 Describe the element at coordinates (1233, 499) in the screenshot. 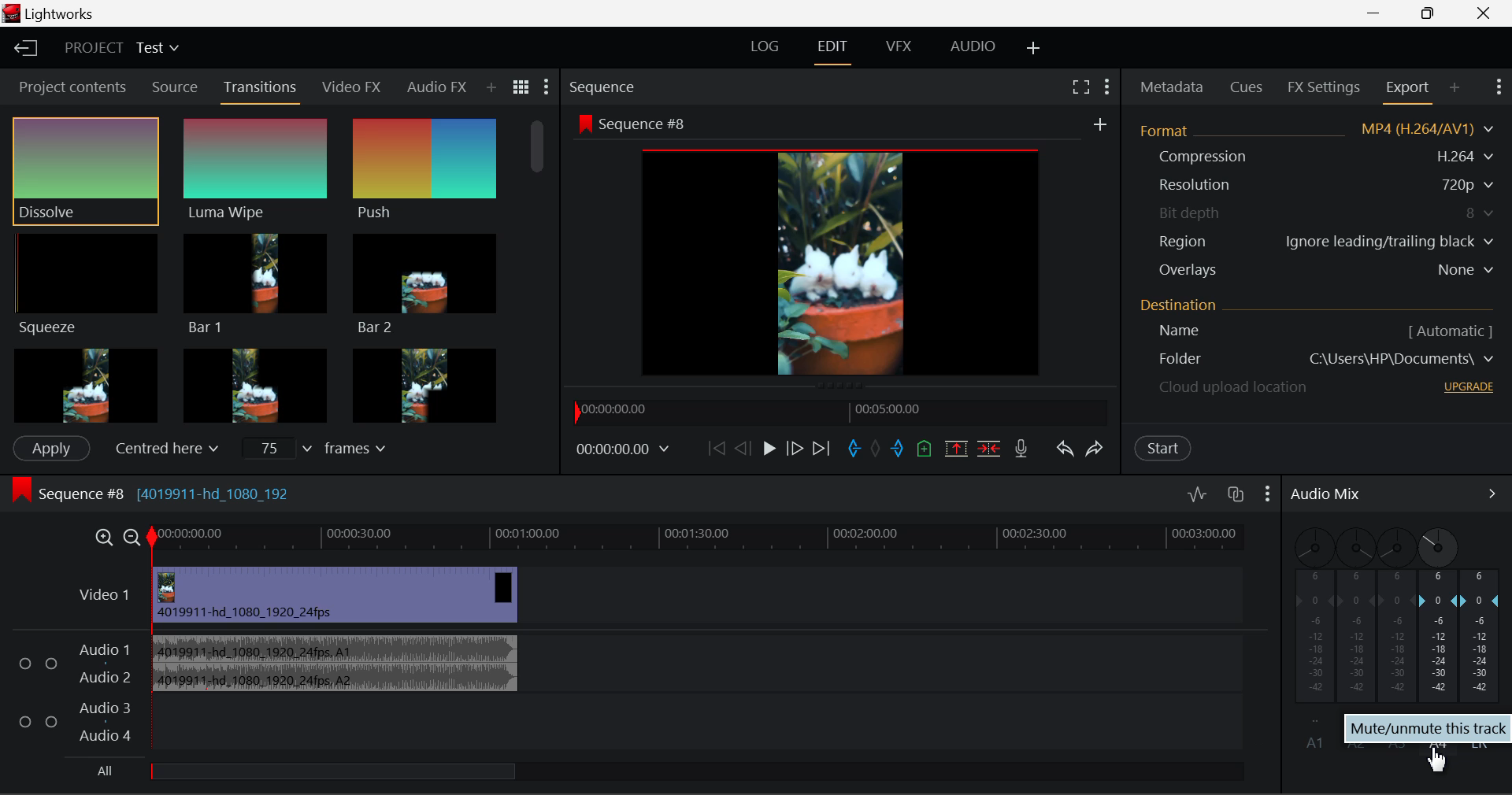

I see `Toggle auto track sync` at that location.